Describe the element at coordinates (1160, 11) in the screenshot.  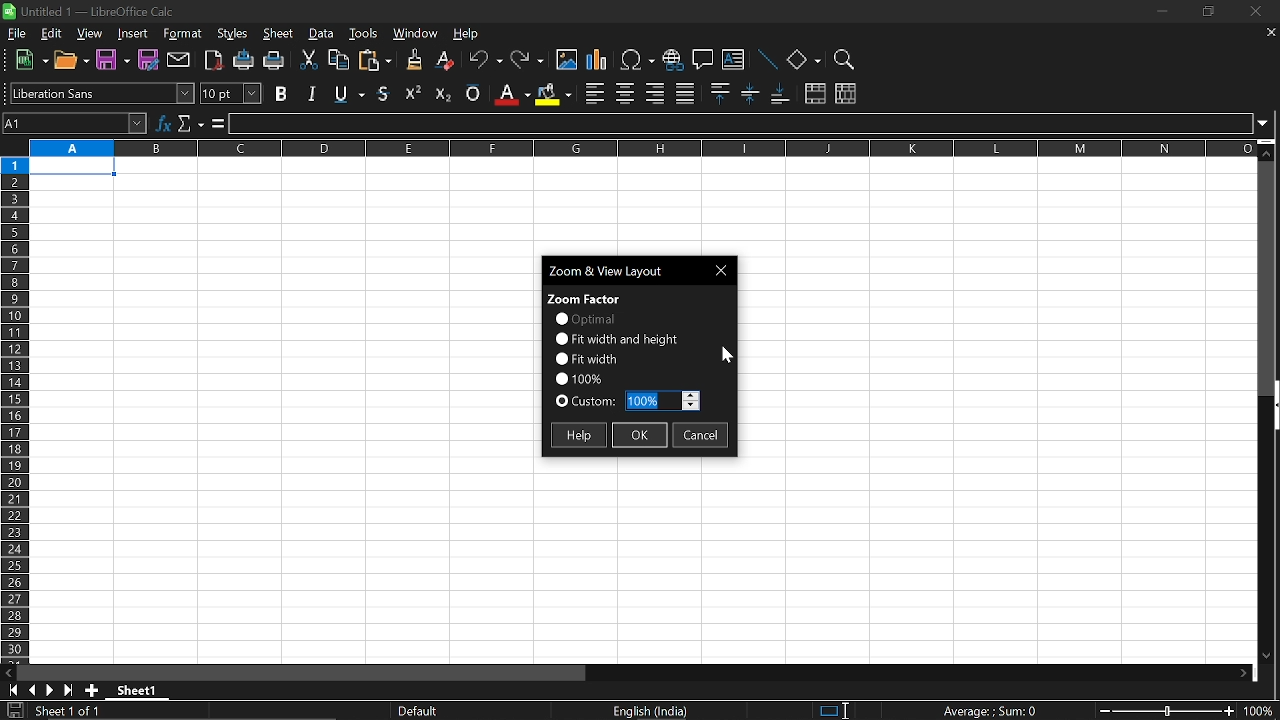
I see `minimize` at that location.